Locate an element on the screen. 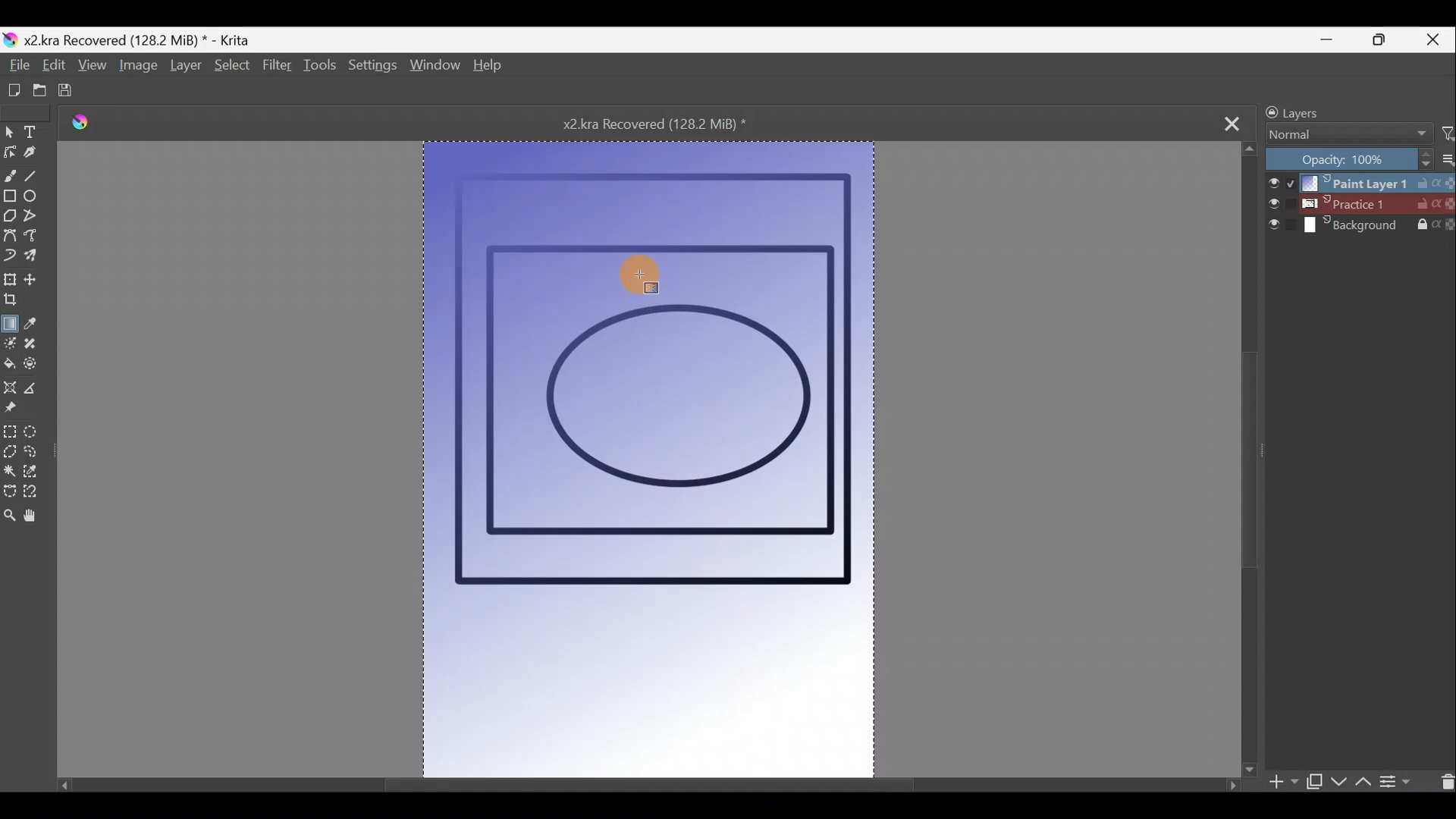 This screenshot has height=819, width=1456. Krita logo is located at coordinates (90, 125).